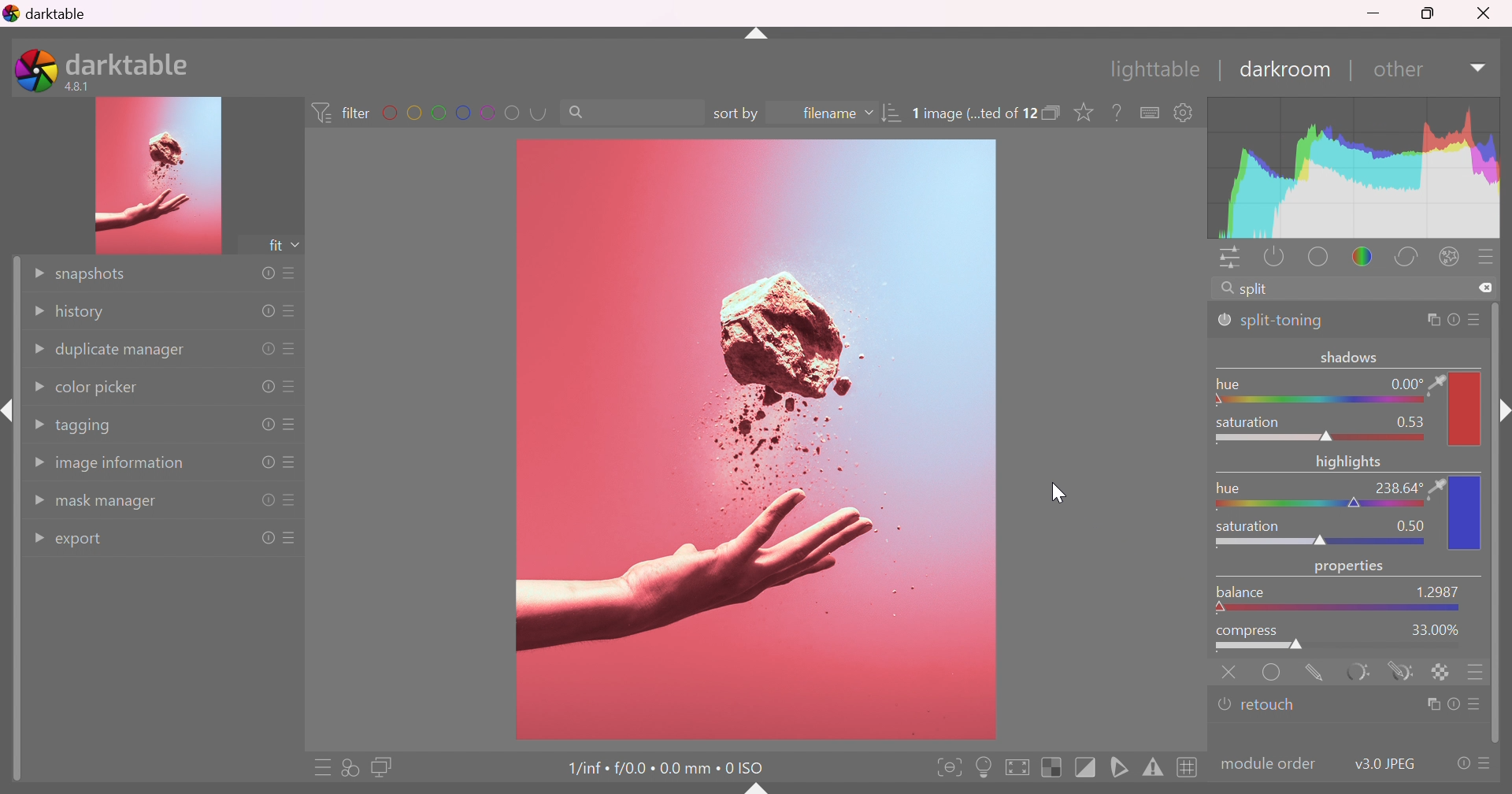 The image size is (1512, 794). Describe the element at coordinates (1275, 676) in the screenshot. I see `uniformly` at that location.